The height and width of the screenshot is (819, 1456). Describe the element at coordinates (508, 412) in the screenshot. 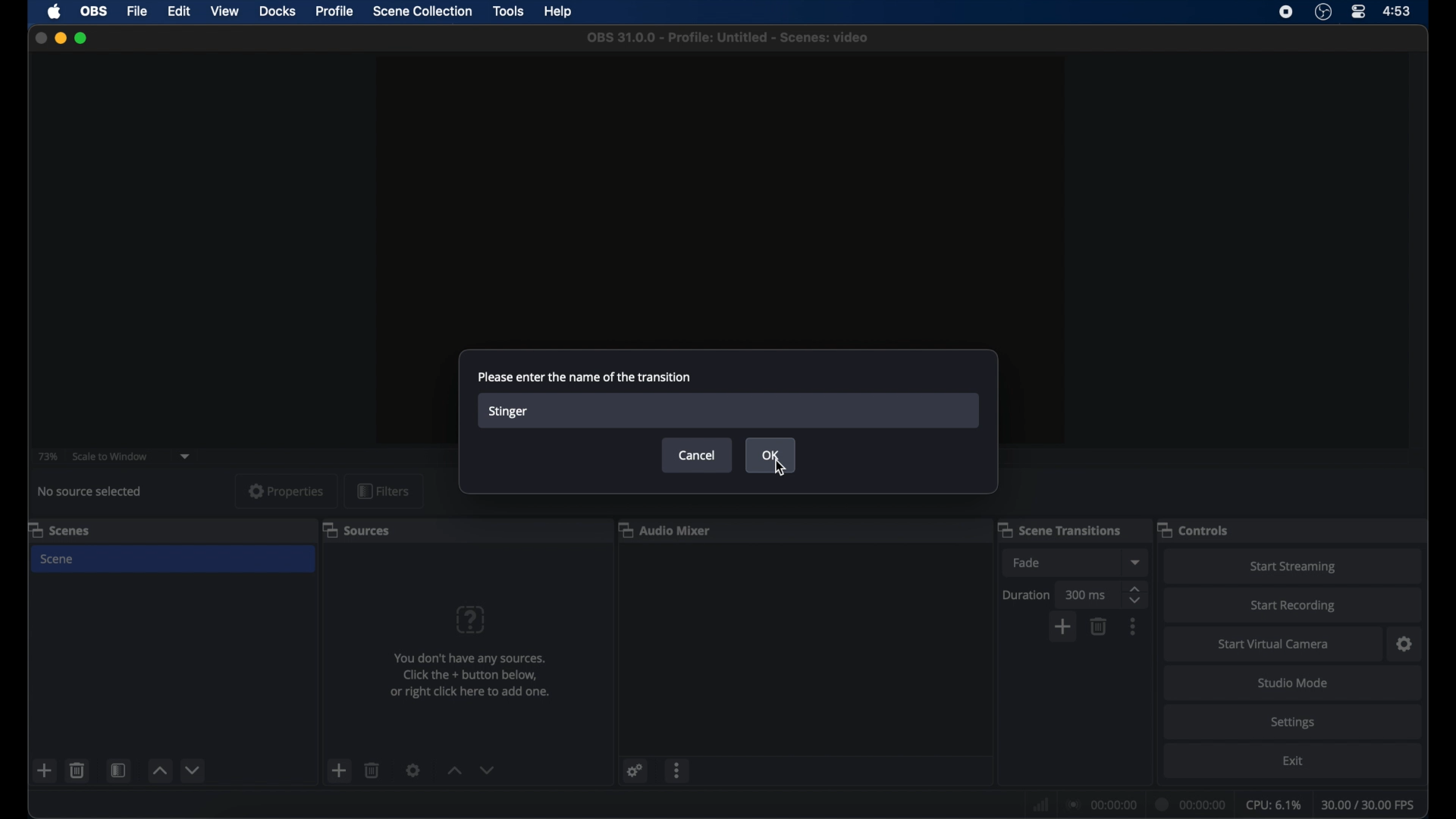

I see `stinger` at that location.